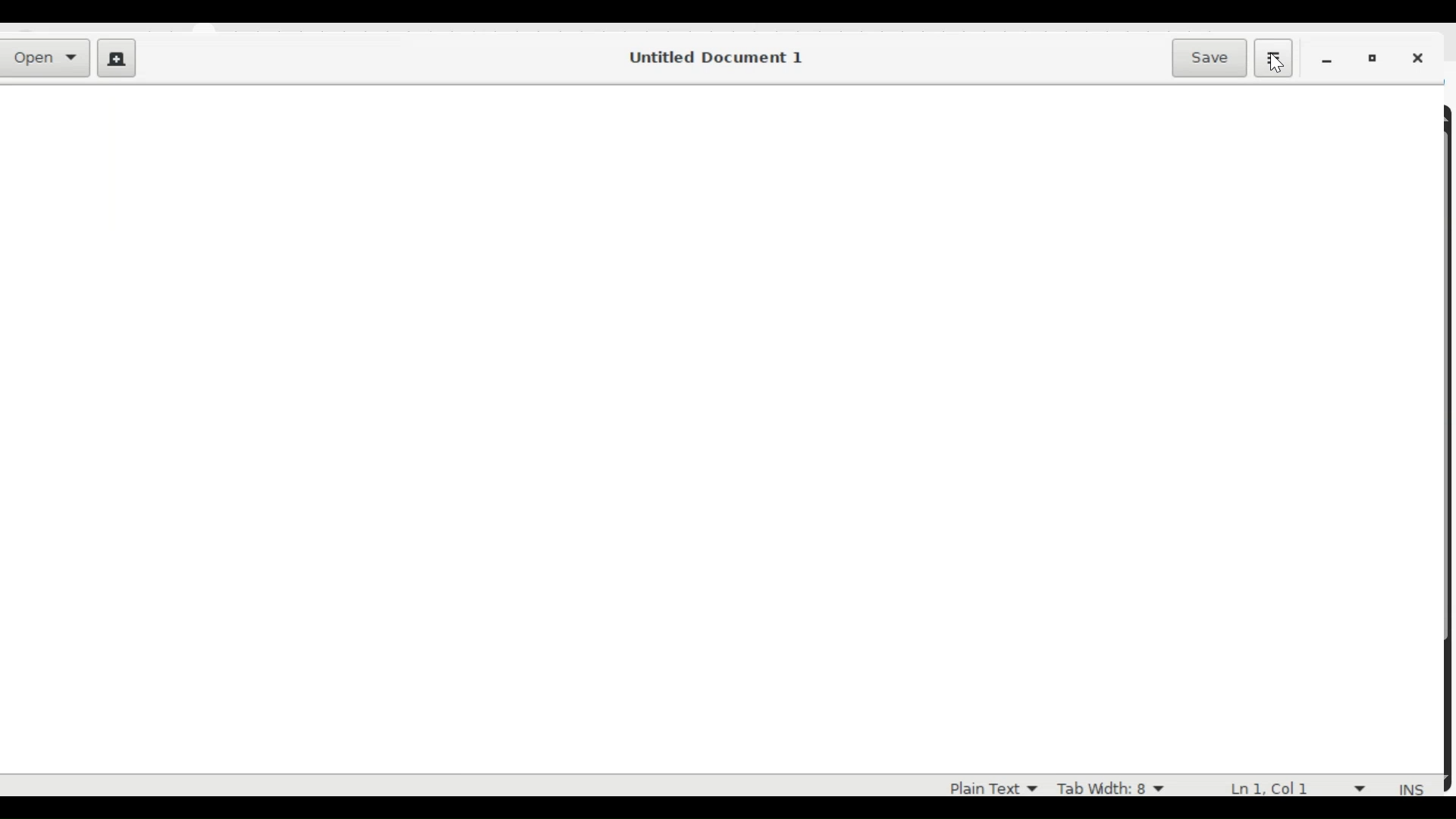 Image resolution: width=1456 pixels, height=819 pixels. Describe the element at coordinates (1272, 57) in the screenshot. I see `Application menu` at that location.